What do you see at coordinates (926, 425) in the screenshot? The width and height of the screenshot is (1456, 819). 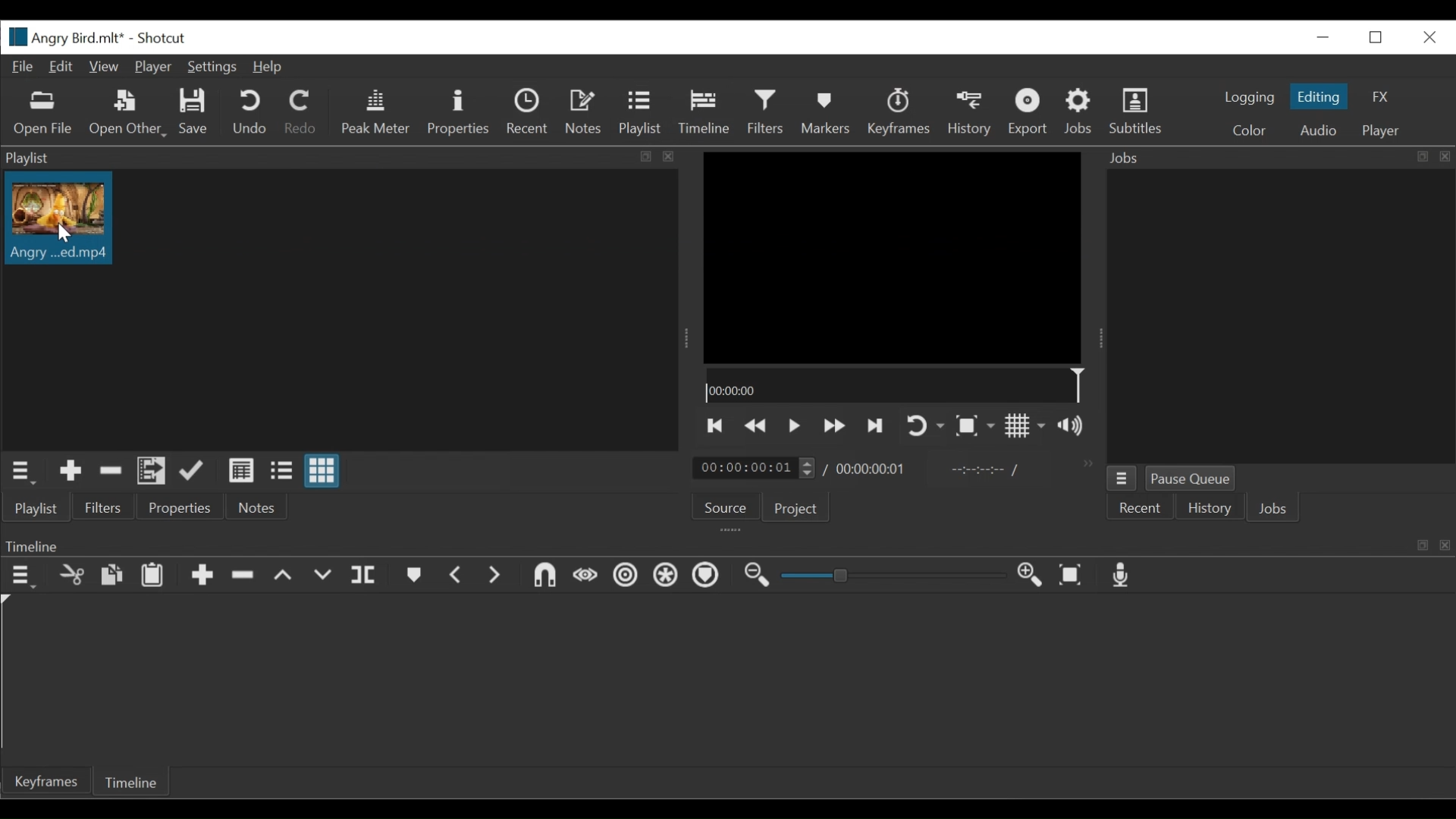 I see `Toggle player looping` at bounding box center [926, 425].